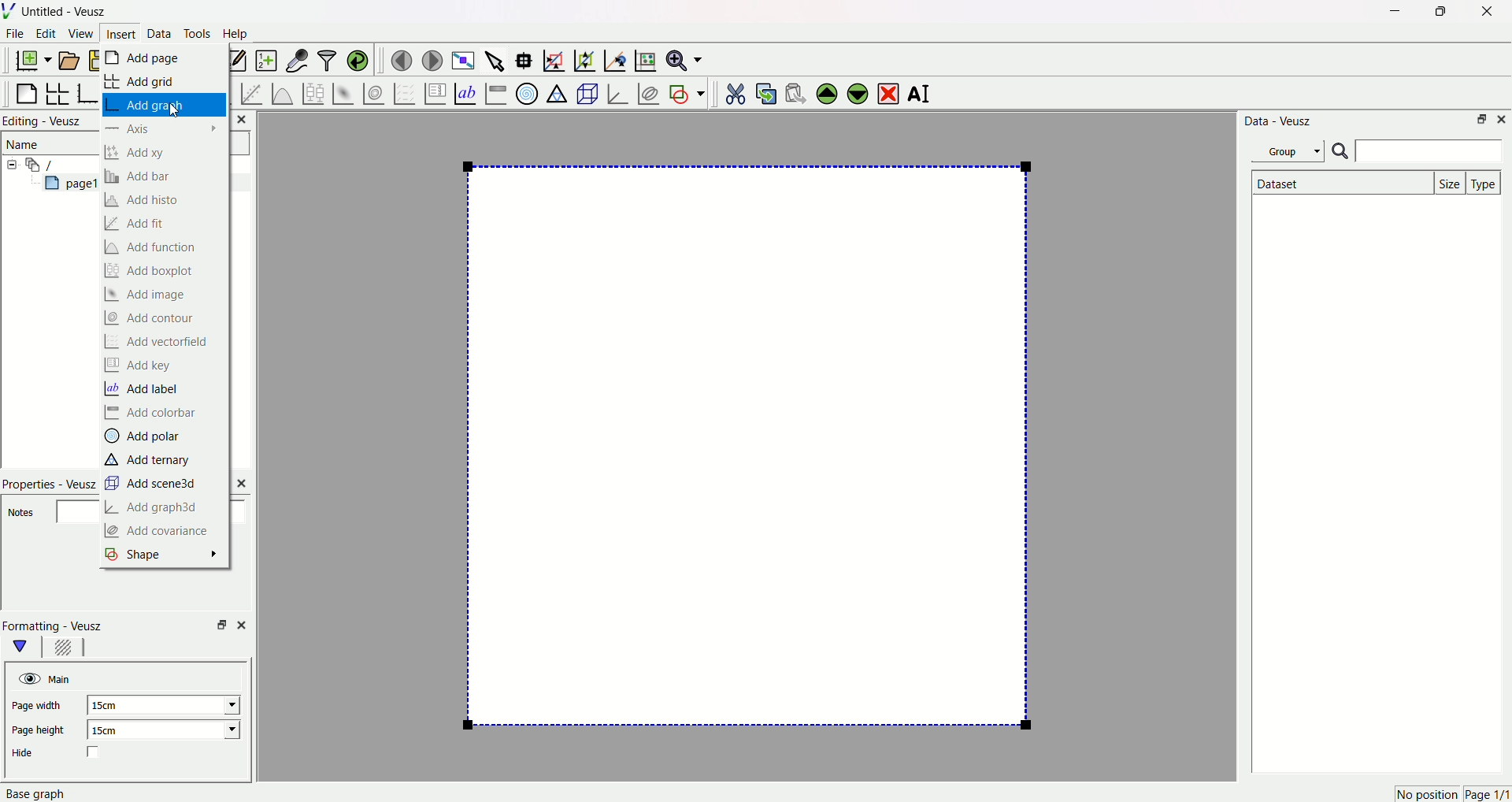  What do you see at coordinates (198, 35) in the screenshot?
I see `Tools` at bounding box center [198, 35].